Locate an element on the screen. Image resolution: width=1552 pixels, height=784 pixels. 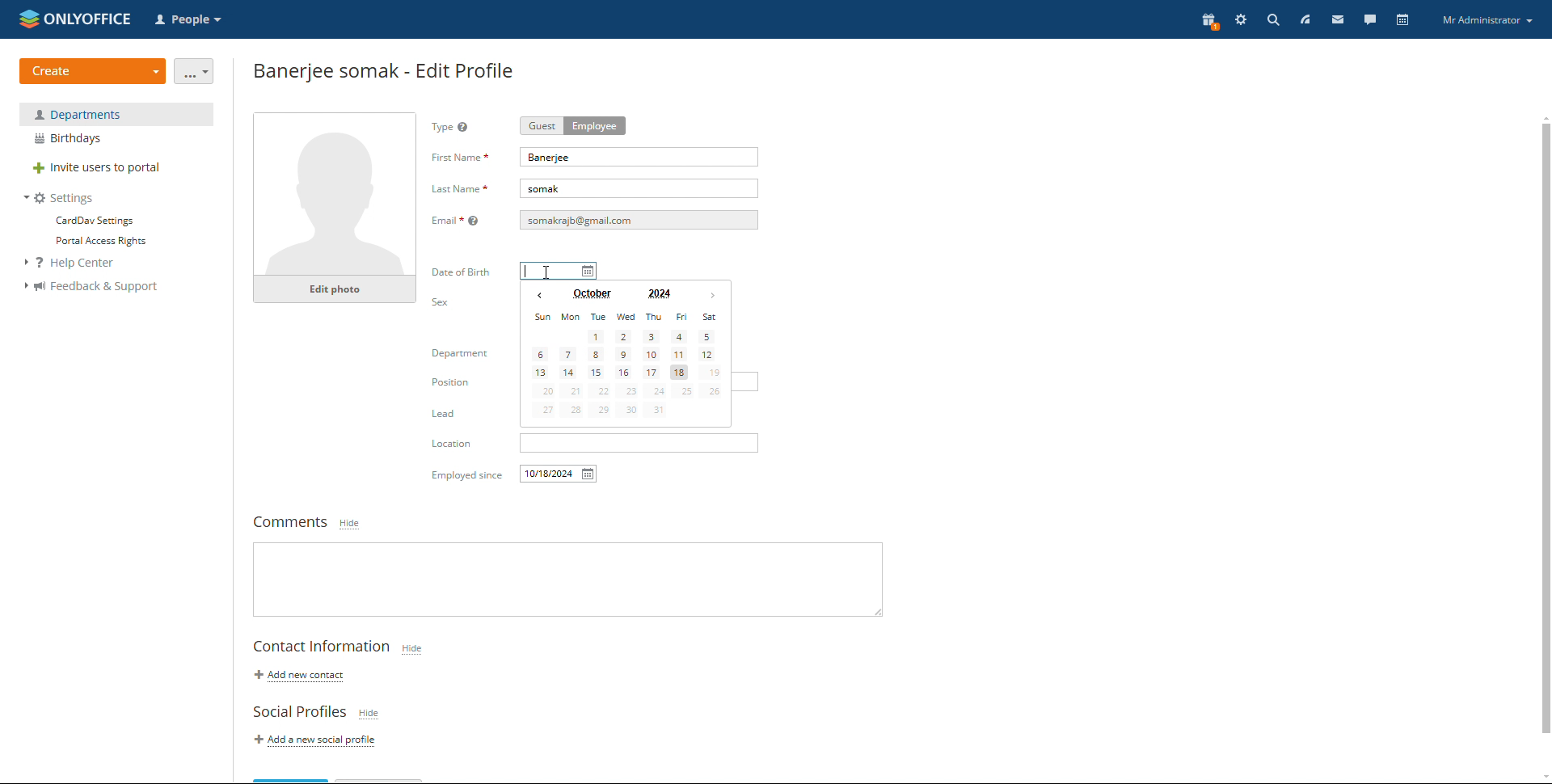
present is located at coordinates (1208, 22).